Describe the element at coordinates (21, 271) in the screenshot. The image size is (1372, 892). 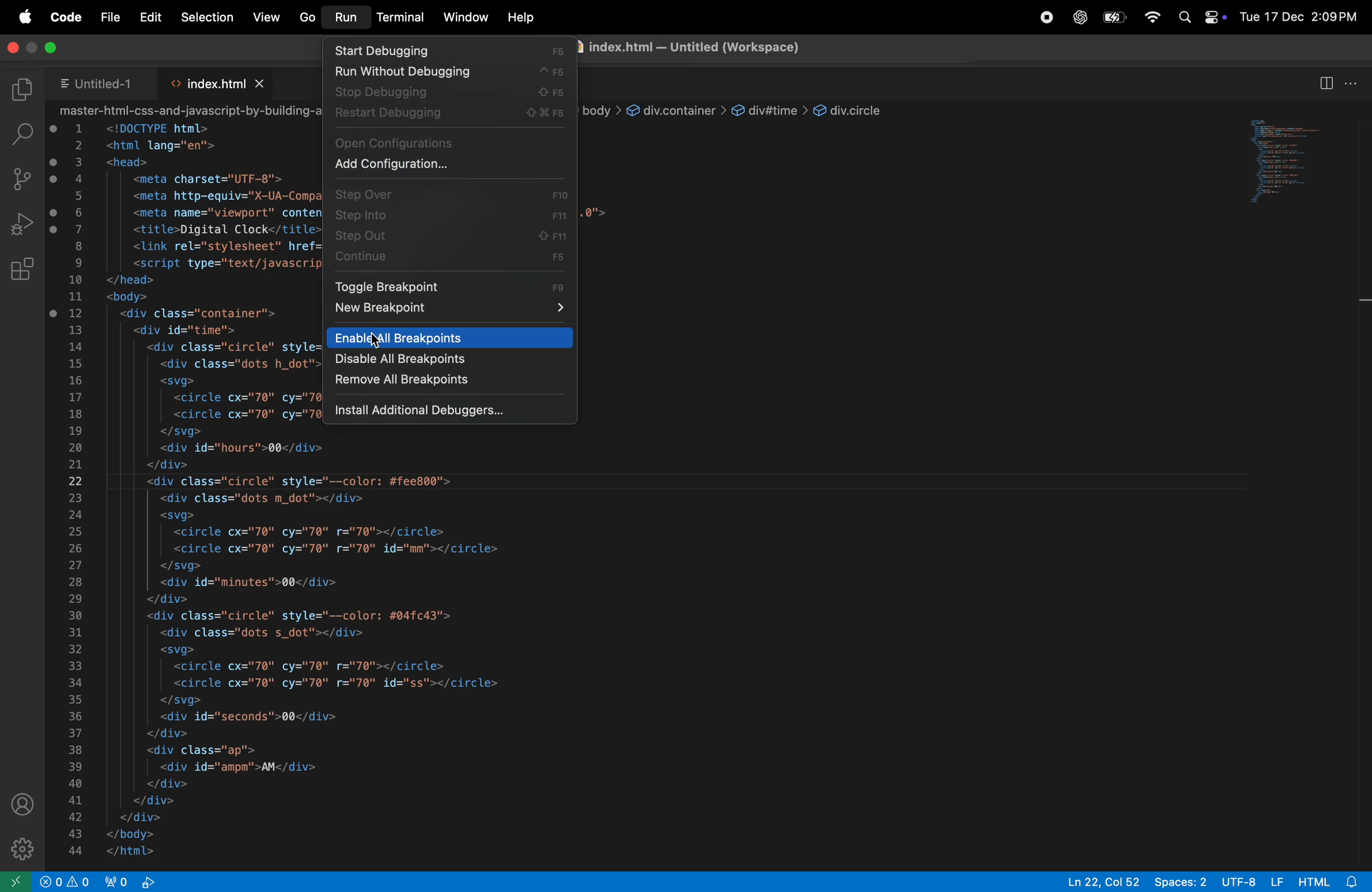
I see `extensions` at that location.